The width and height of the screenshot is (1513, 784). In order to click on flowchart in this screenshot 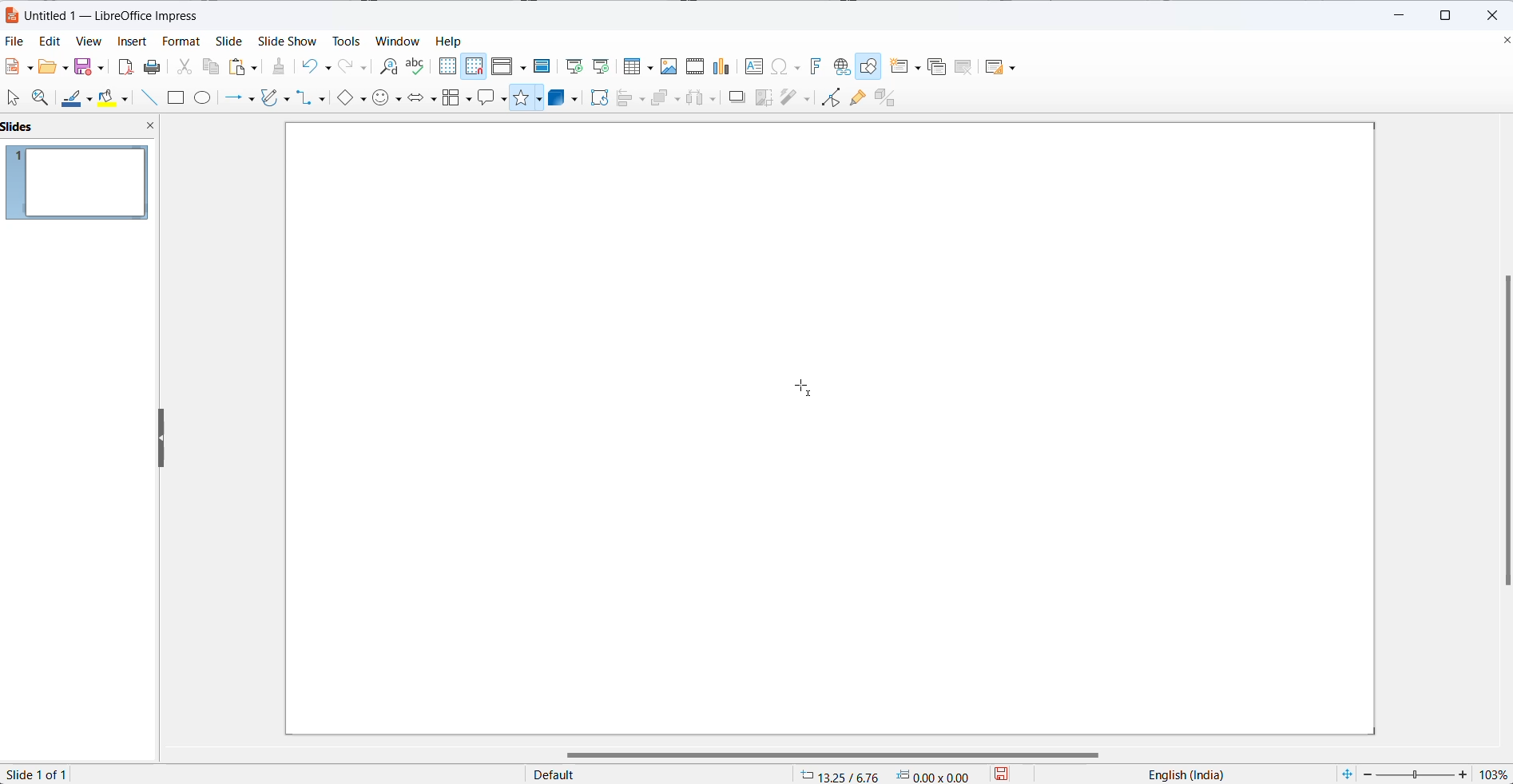, I will do `click(455, 98)`.